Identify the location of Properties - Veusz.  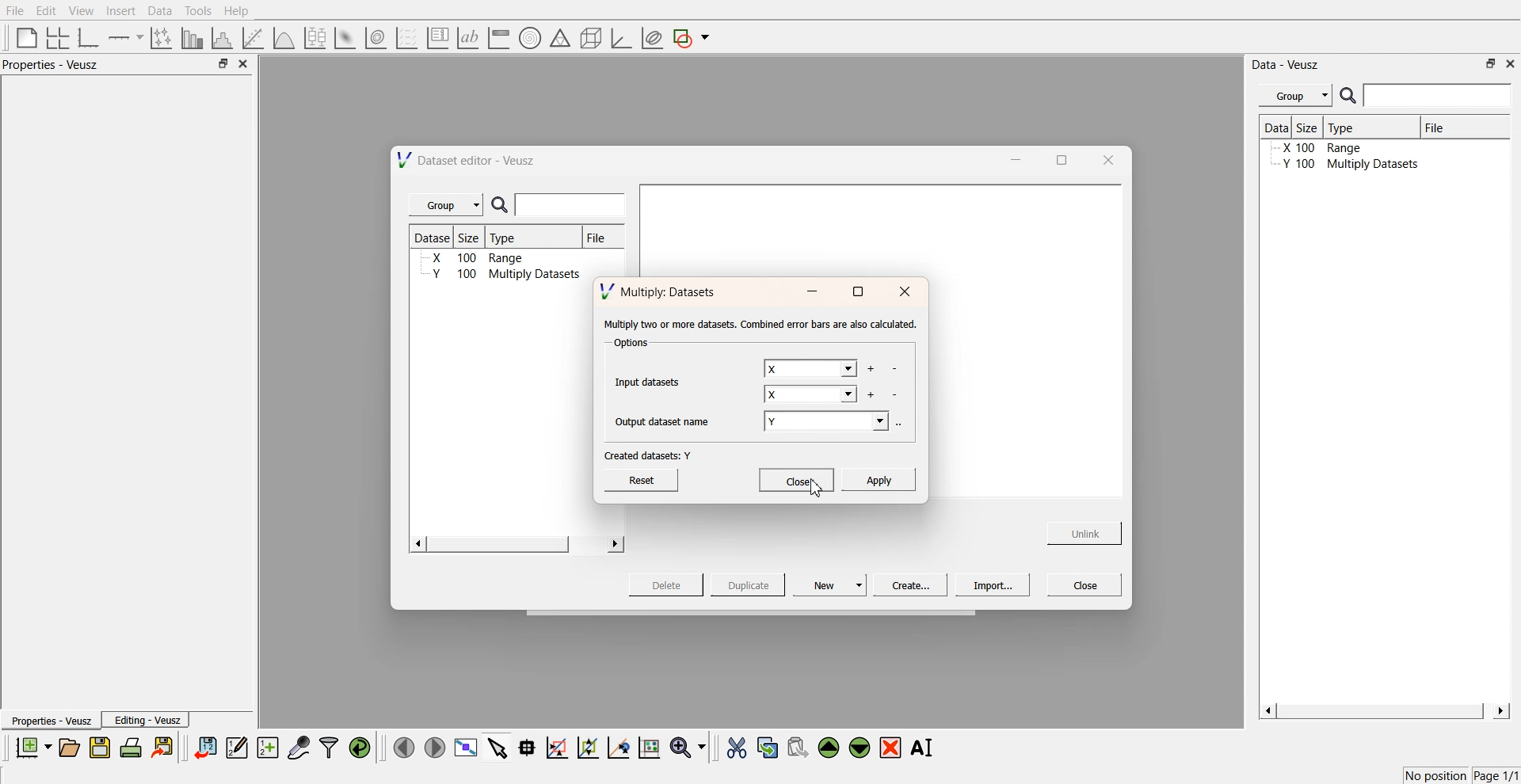
(51, 721).